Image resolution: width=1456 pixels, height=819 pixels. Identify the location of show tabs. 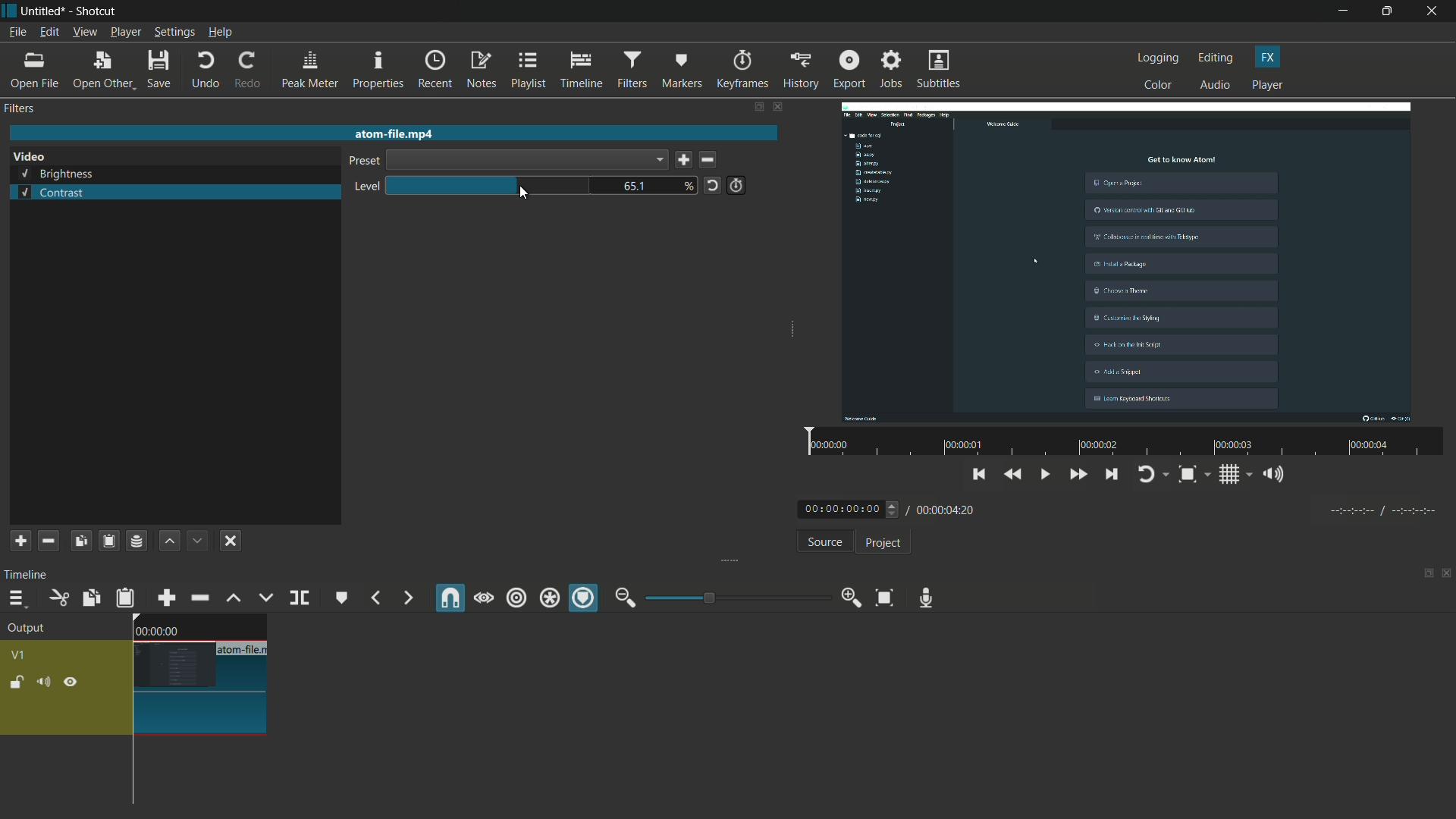
(1423, 575).